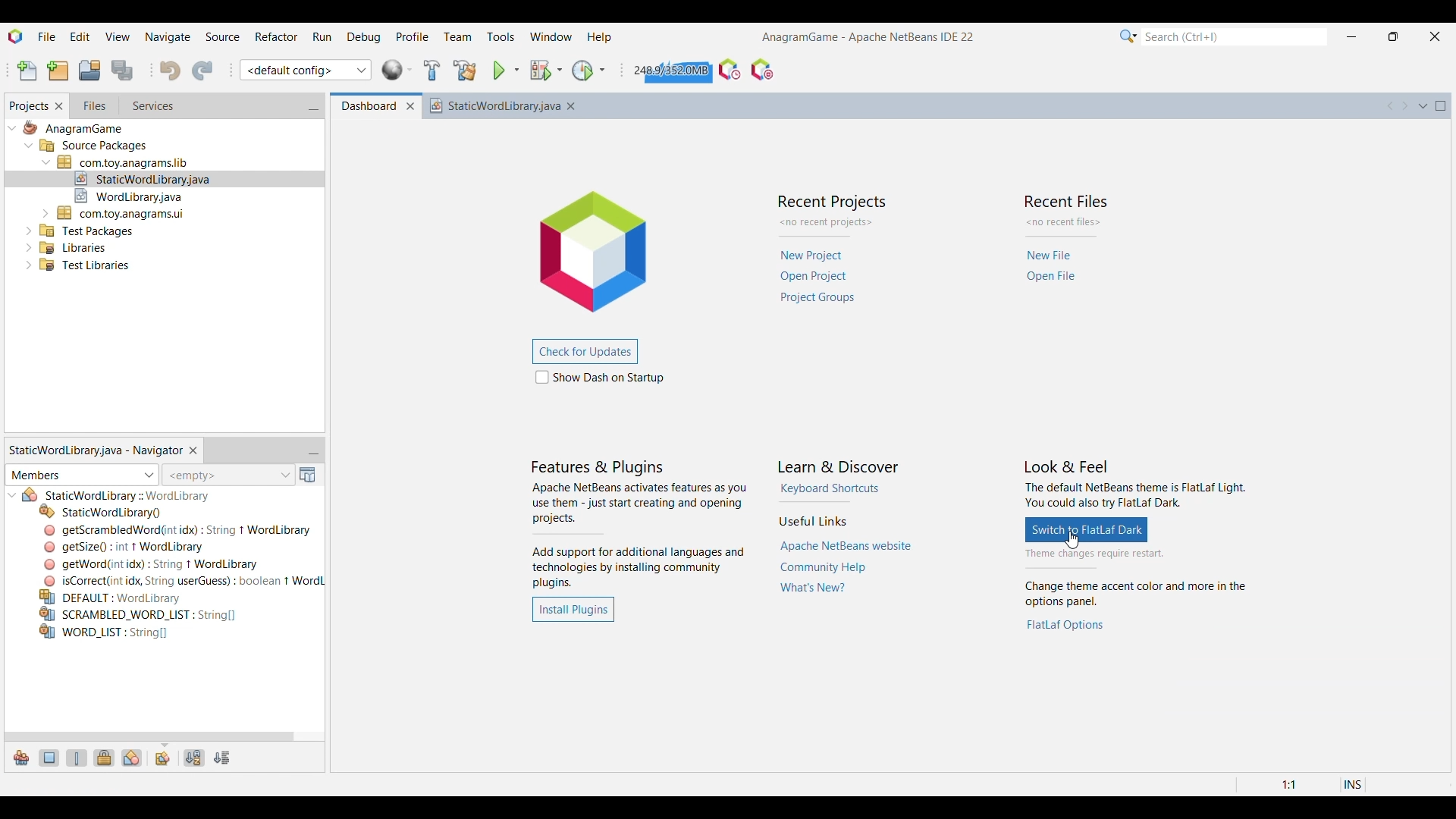  Describe the element at coordinates (80, 35) in the screenshot. I see `Edit menu` at that location.